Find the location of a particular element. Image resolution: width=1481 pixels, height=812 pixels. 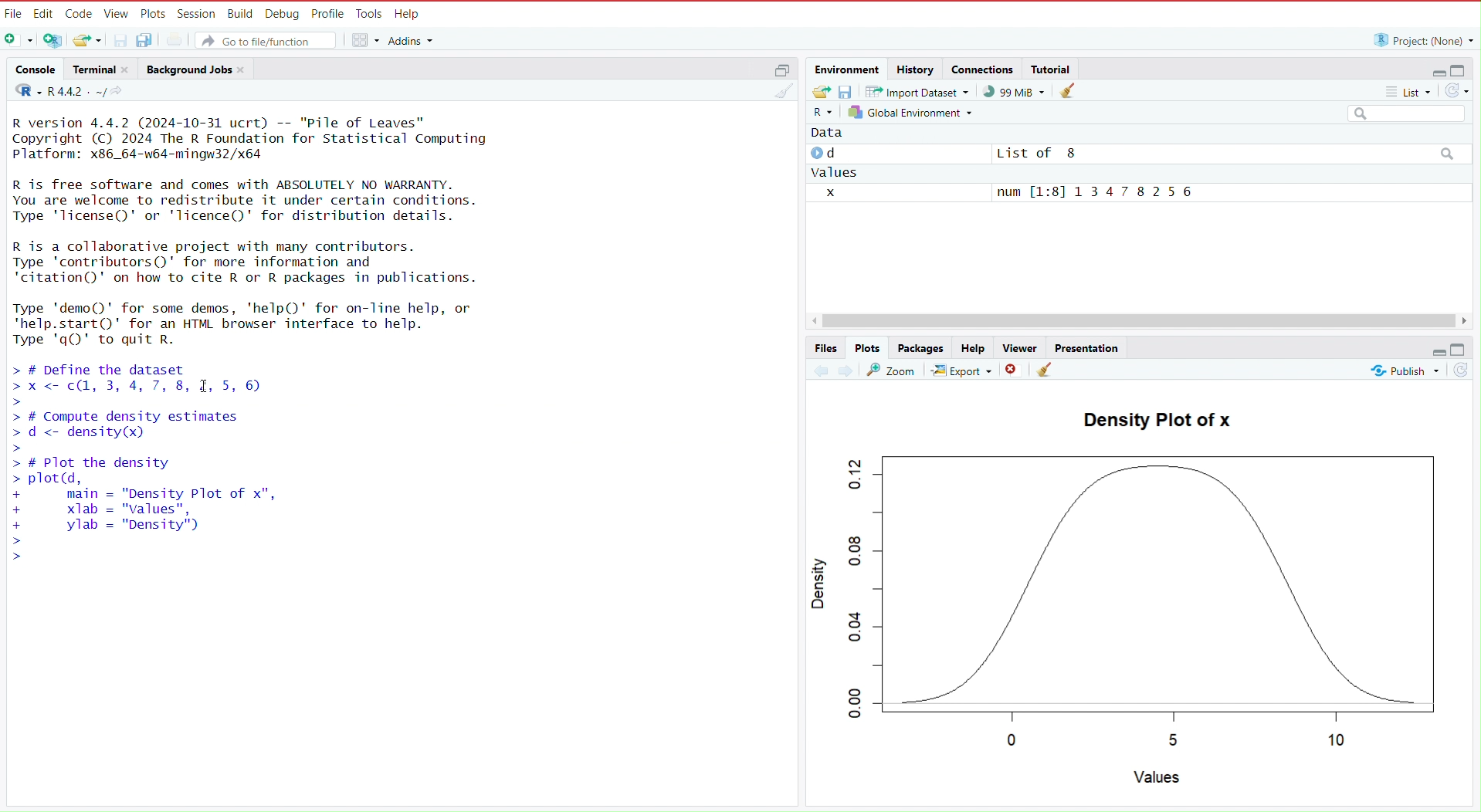

list is located at coordinates (1412, 93).